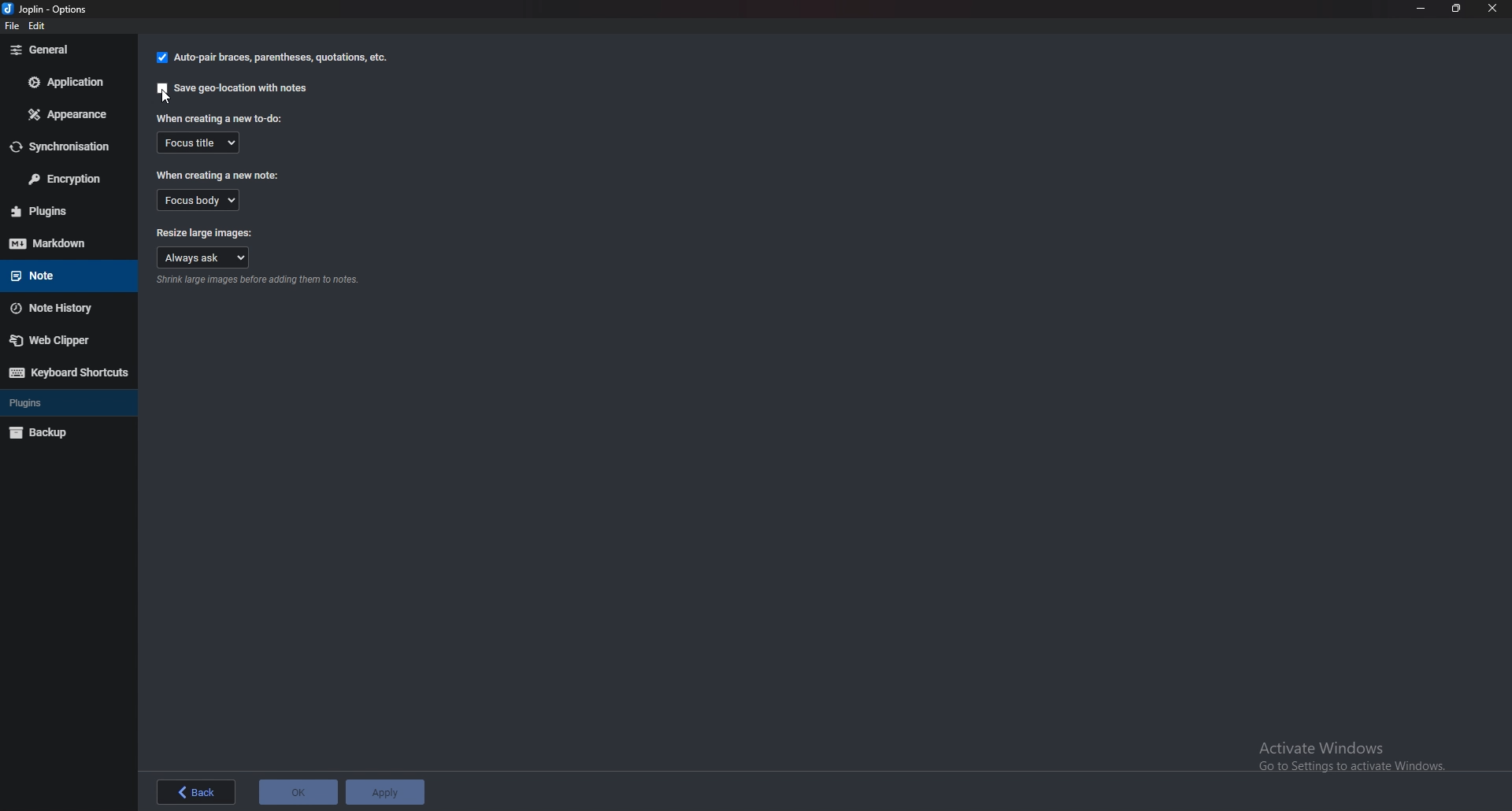 This screenshot has width=1512, height=811. What do you see at coordinates (387, 791) in the screenshot?
I see `apply` at bounding box center [387, 791].